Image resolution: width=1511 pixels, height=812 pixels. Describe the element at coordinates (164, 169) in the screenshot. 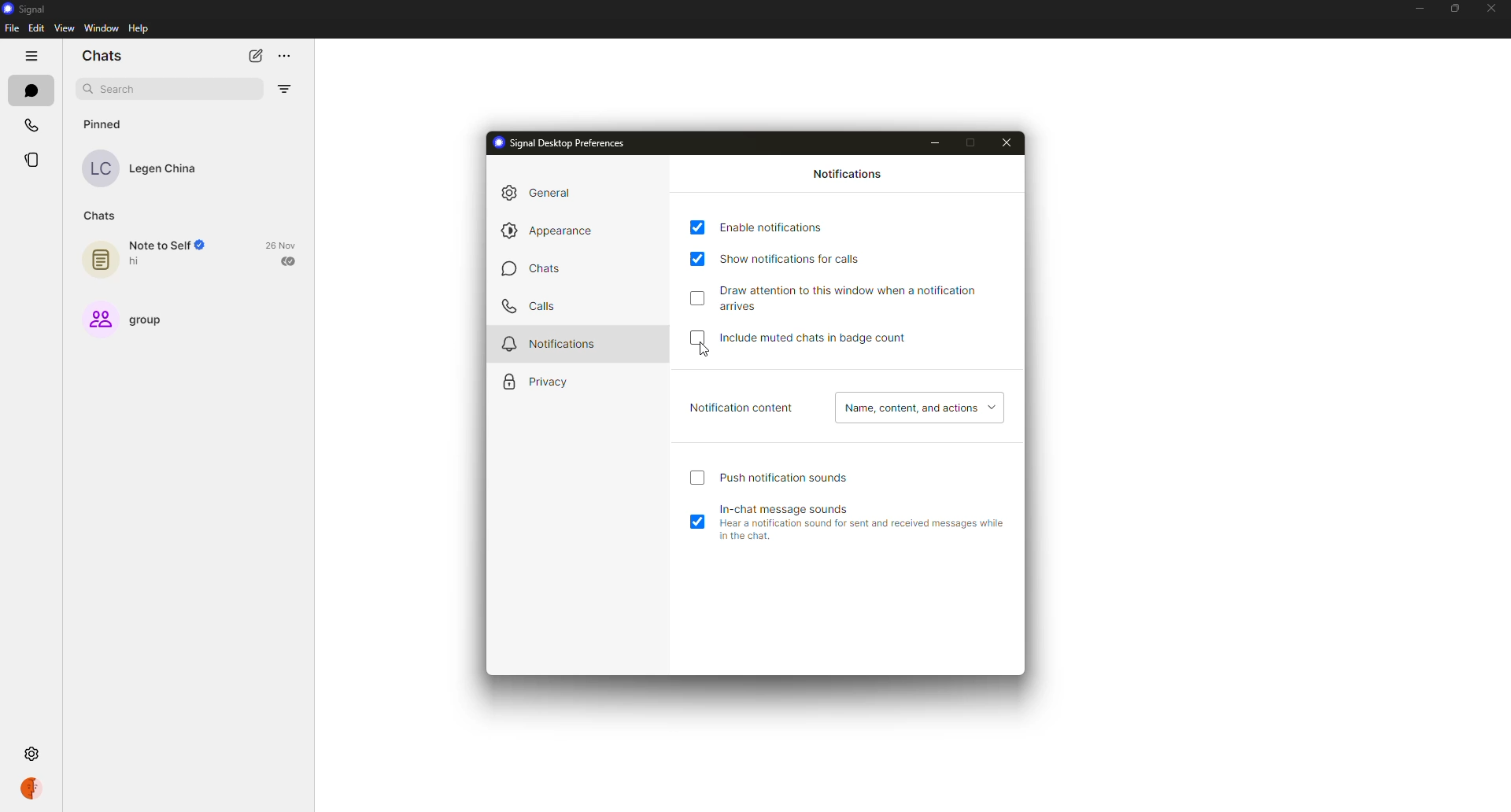

I see `Legen China` at that location.